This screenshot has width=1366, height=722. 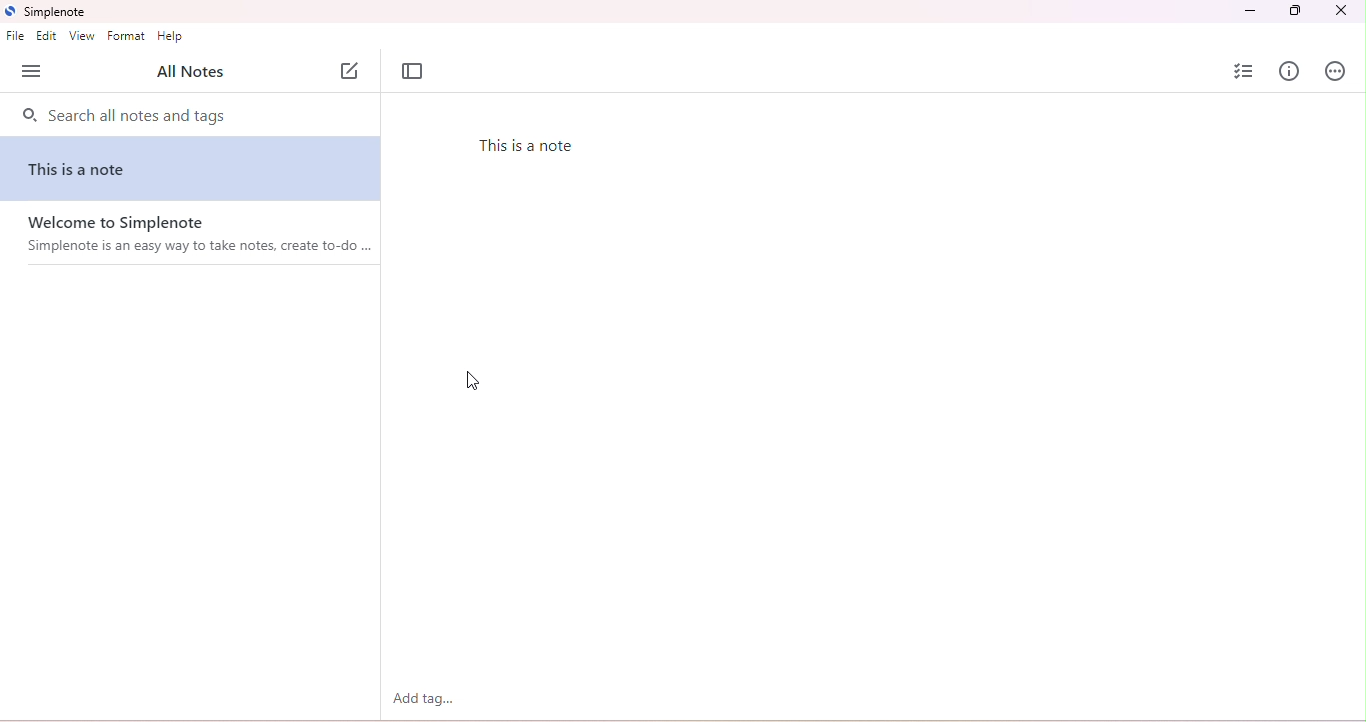 What do you see at coordinates (16, 36) in the screenshot?
I see `file` at bounding box center [16, 36].